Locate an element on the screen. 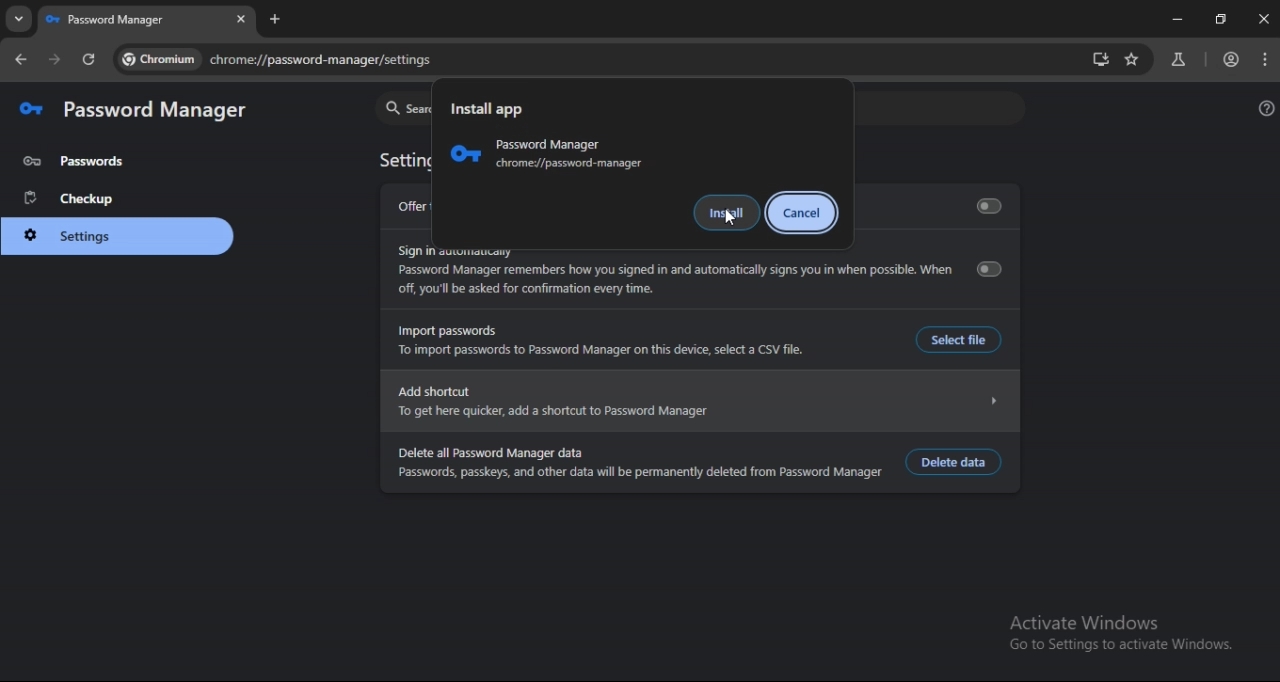 This screenshot has height=682, width=1280. bookmark page is located at coordinates (1130, 62).